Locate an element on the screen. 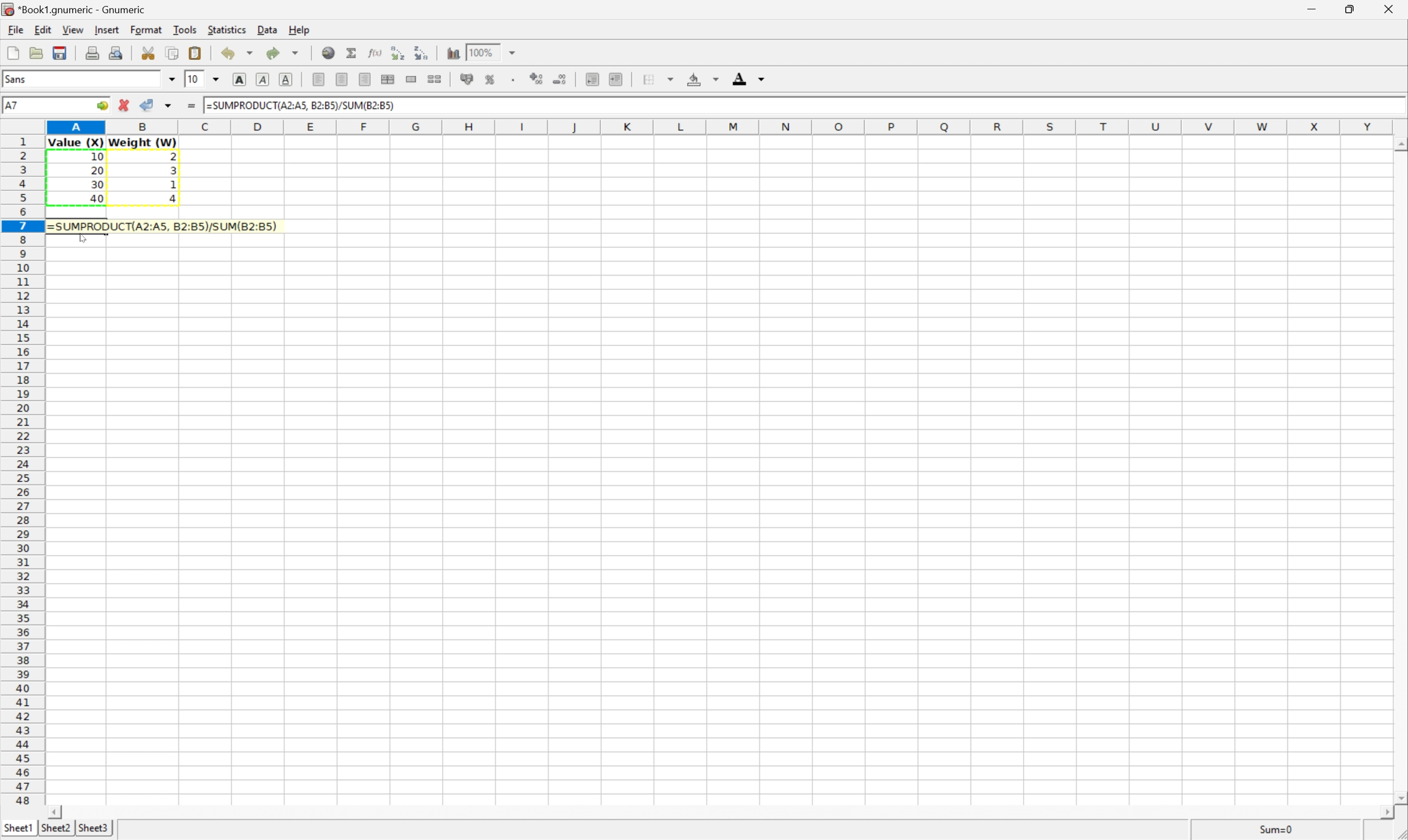 This screenshot has width=1408, height=840. Print preview is located at coordinates (115, 54).